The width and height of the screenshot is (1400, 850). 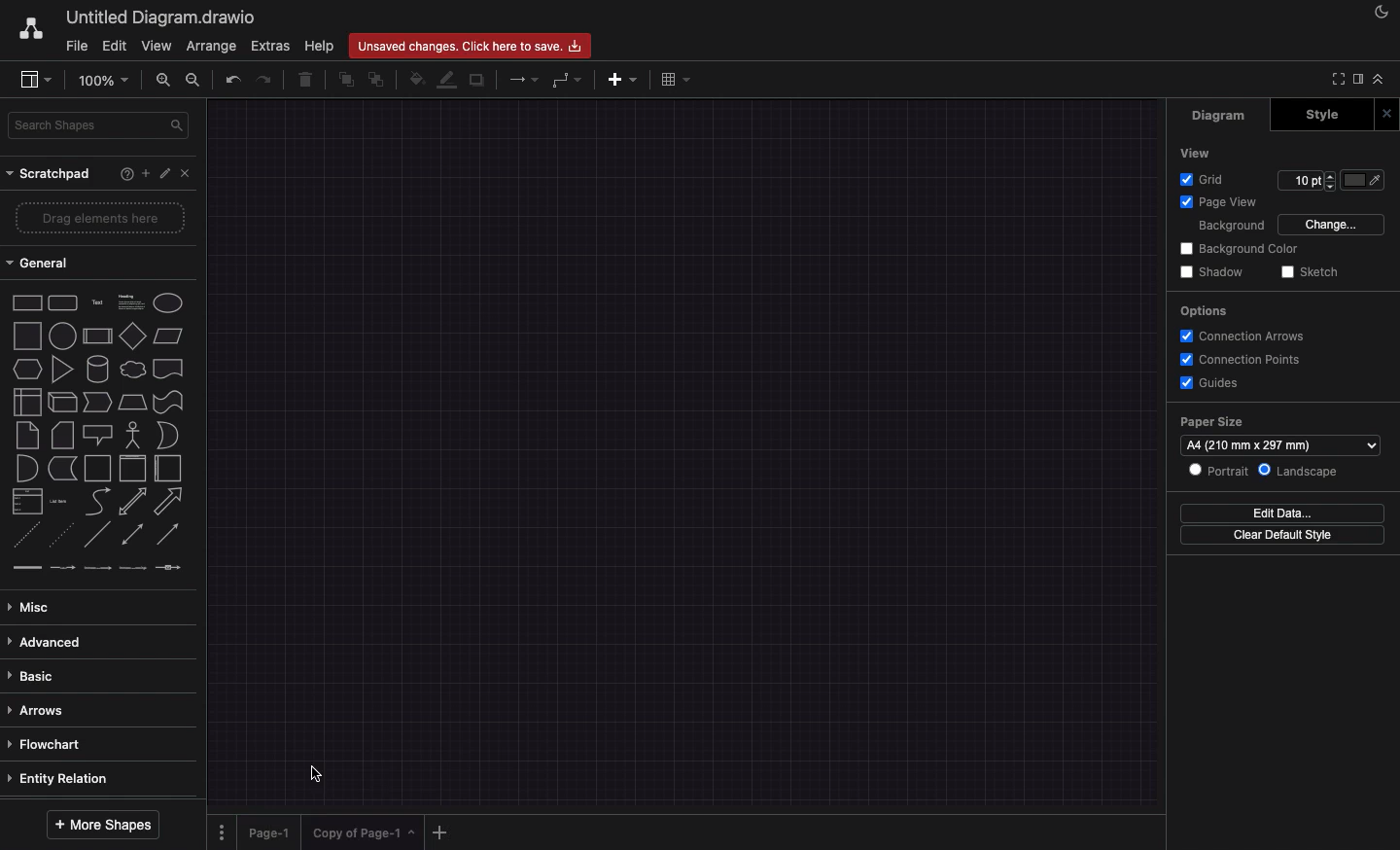 What do you see at coordinates (27, 336) in the screenshot?
I see `square` at bounding box center [27, 336].